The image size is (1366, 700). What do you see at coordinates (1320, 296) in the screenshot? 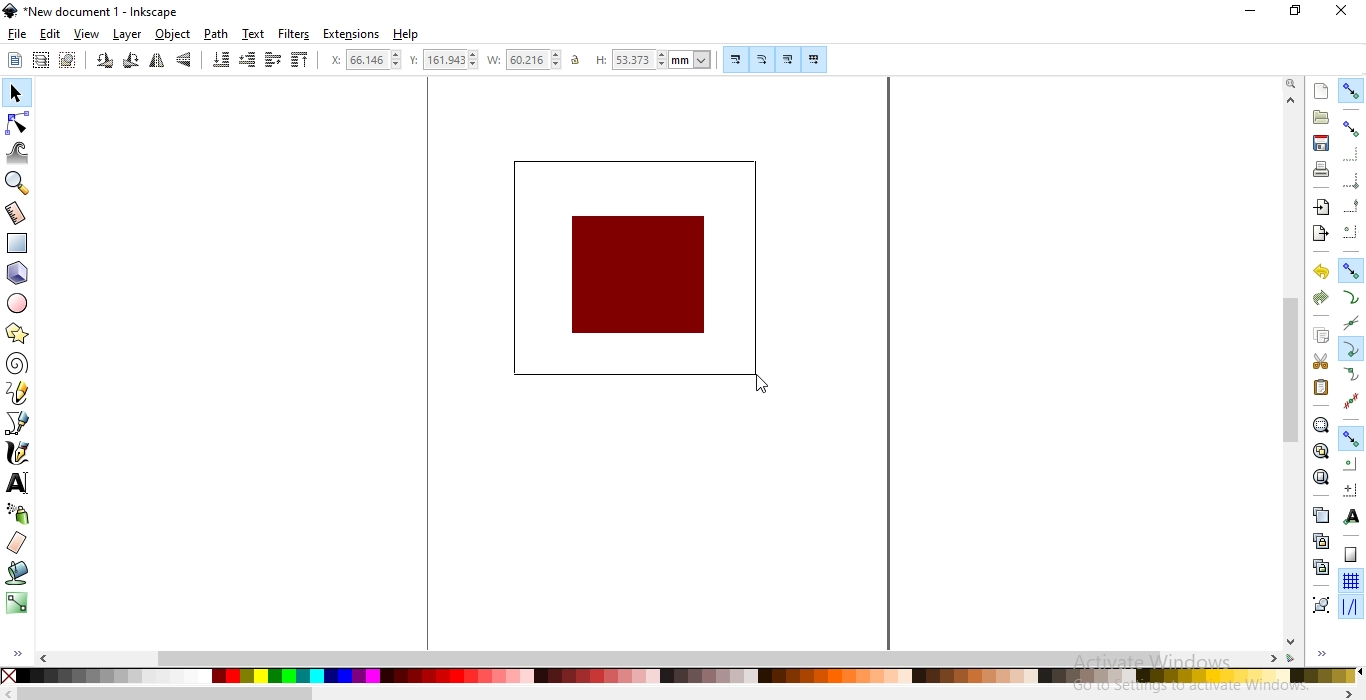
I see `redo an action` at bounding box center [1320, 296].